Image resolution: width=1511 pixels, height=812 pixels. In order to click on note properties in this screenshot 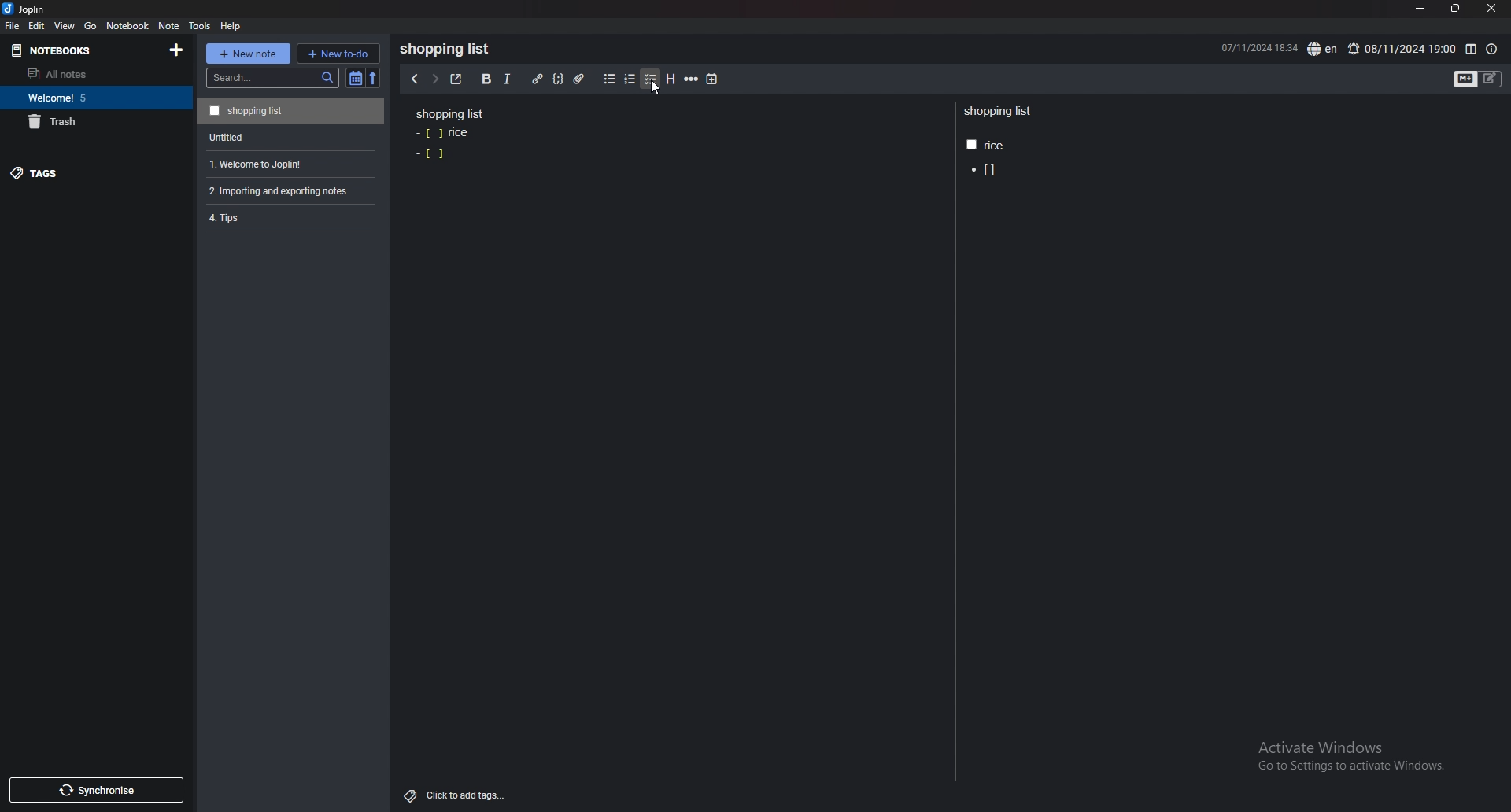, I will do `click(1491, 50)`.